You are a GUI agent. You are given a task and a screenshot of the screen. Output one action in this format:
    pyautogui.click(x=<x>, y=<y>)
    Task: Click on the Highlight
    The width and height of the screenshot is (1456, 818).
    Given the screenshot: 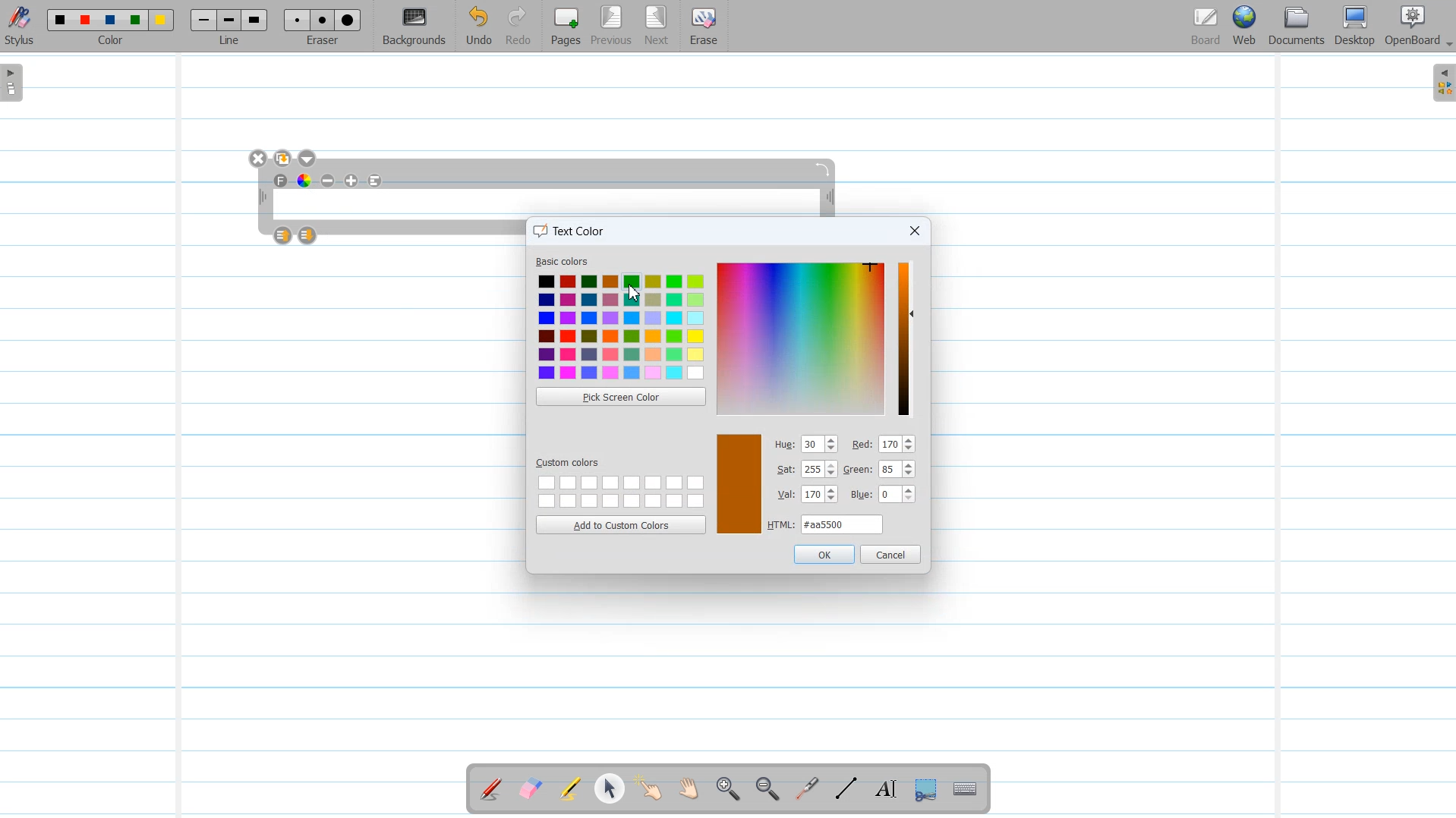 What is the action you would take?
    pyautogui.click(x=570, y=791)
    